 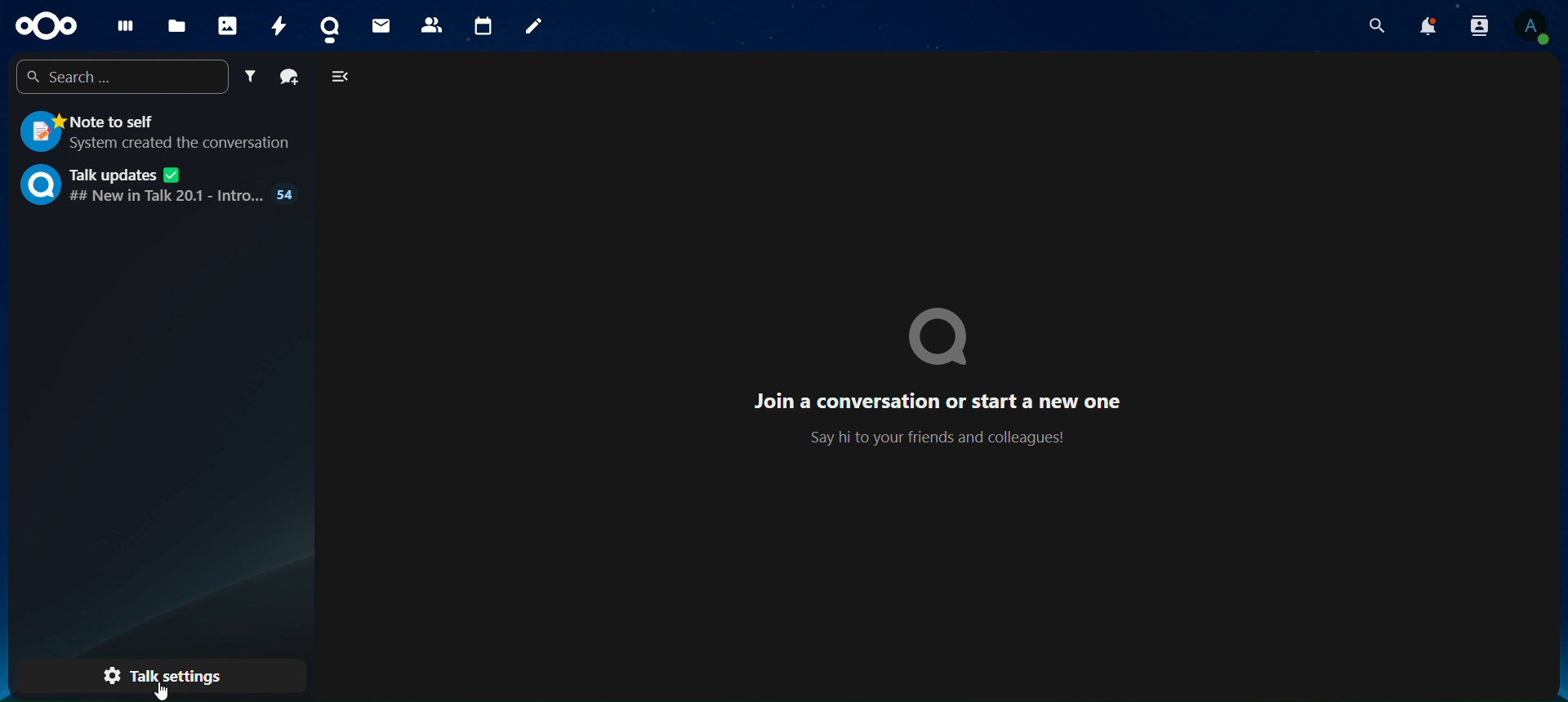 I want to click on search, so click(x=1379, y=25).